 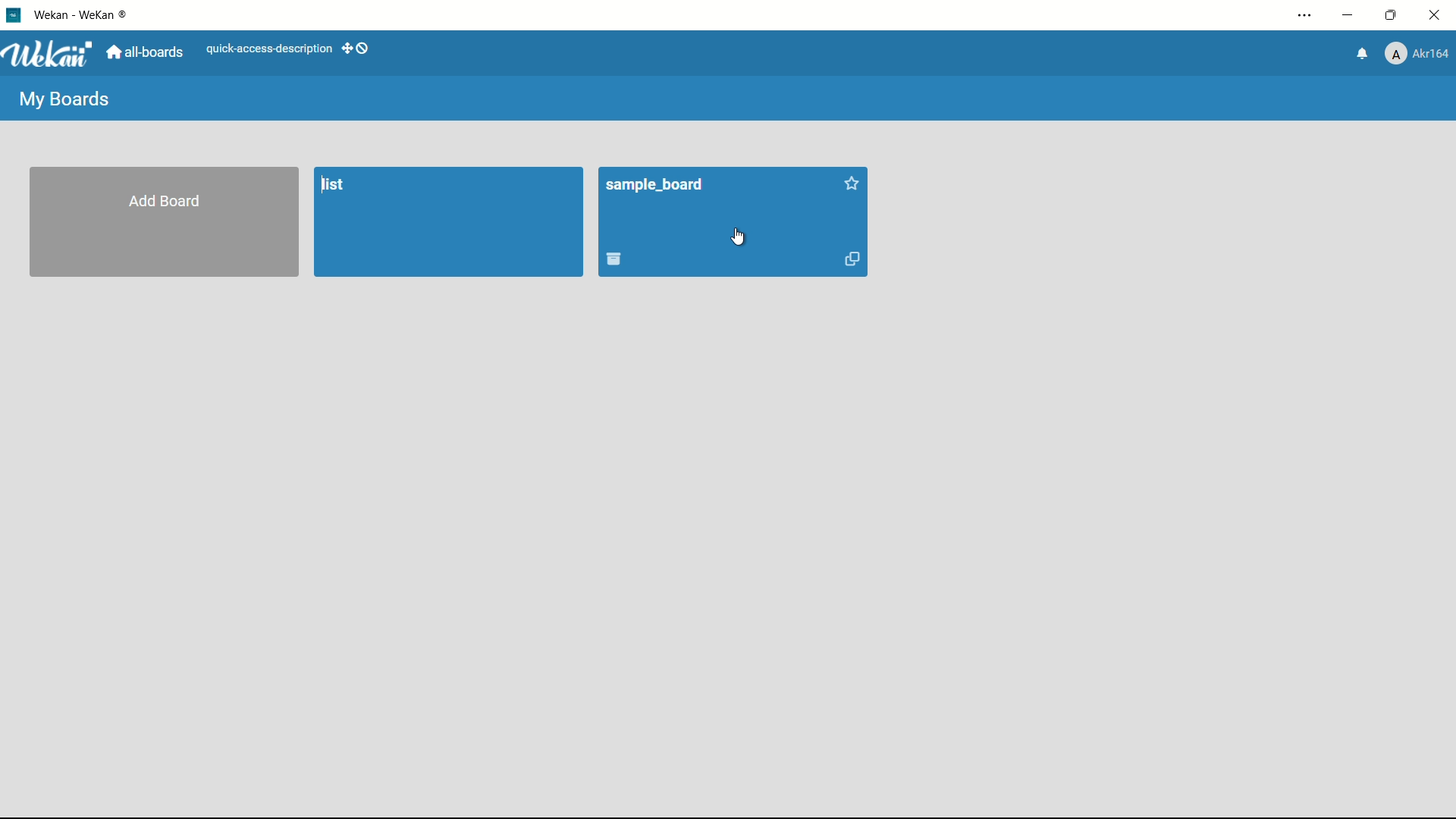 What do you see at coordinates (654, 186) in the screenshot?
I see `board name` at bounding box center [654, 186].